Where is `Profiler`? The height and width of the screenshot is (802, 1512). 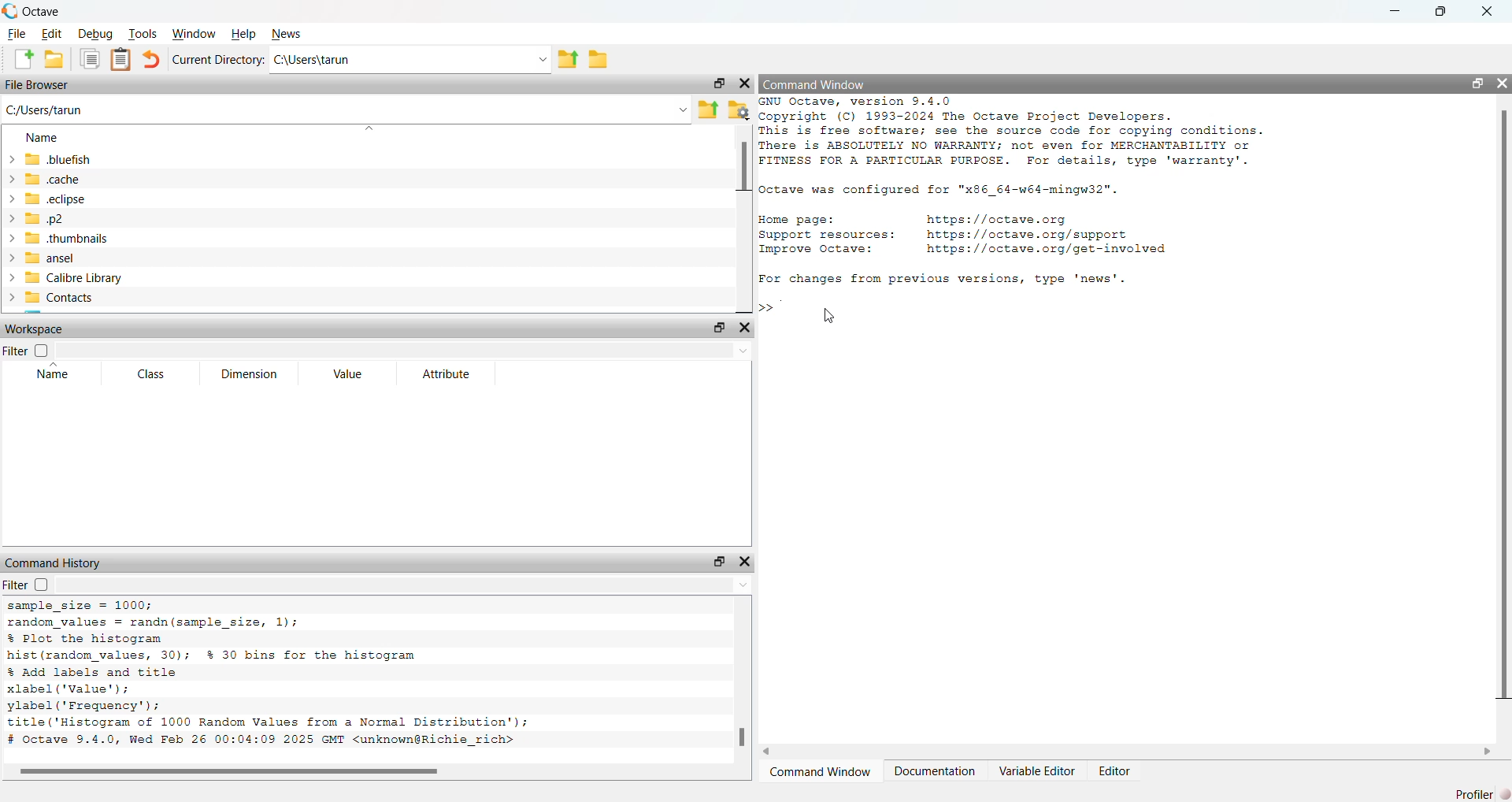 Profiler is located at coordinates (1480, 793).